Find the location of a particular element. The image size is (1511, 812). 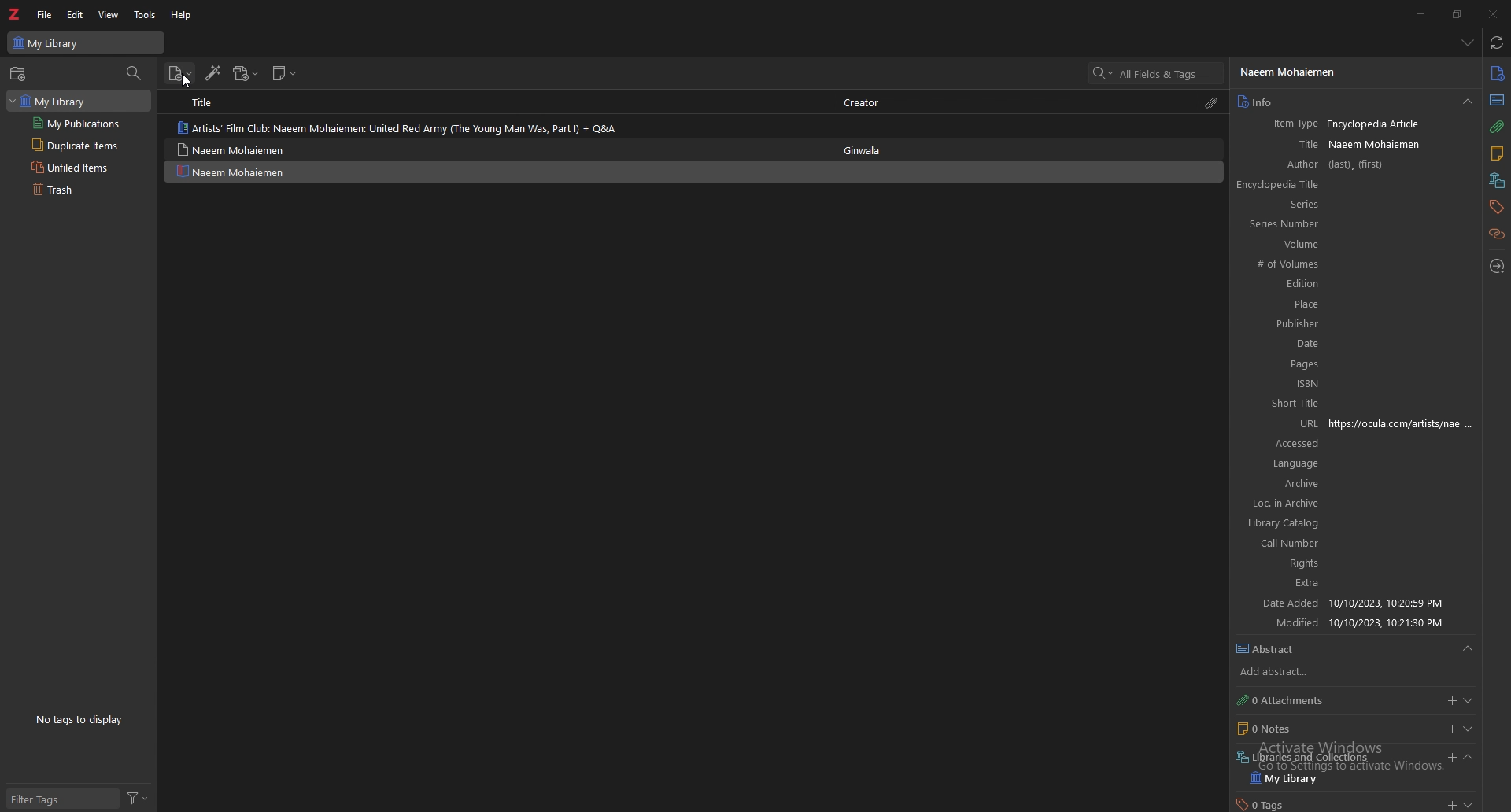

zotero is located at coordinates (17, 13).